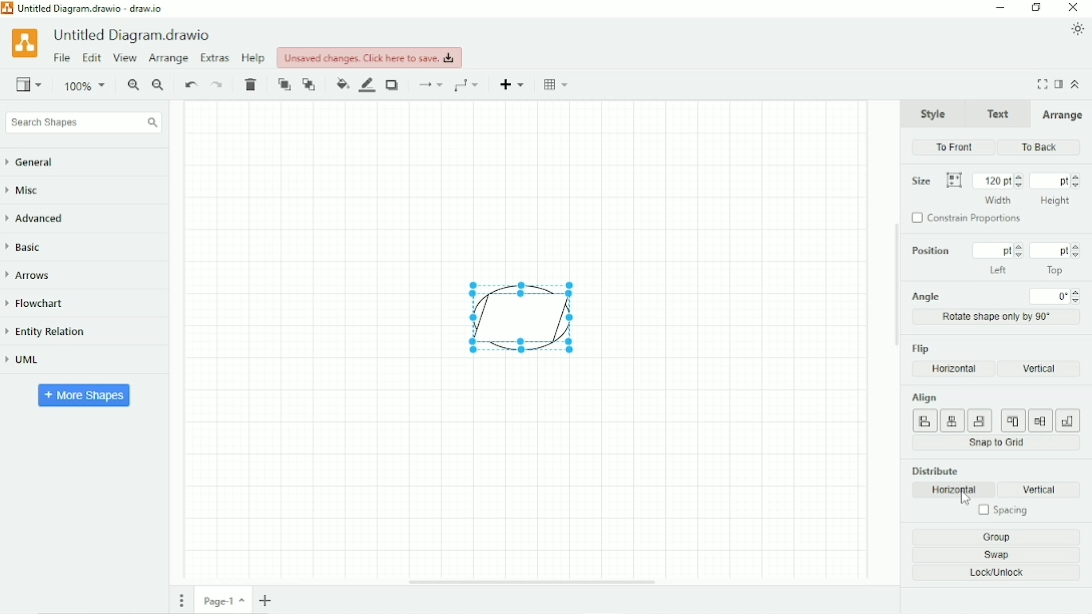 The height and width of the screenshot is (614, 1092). What do you see at coordinates (1037, 368) in the screenshot?
I see `Vertical` at bounding box center [1037, 368].